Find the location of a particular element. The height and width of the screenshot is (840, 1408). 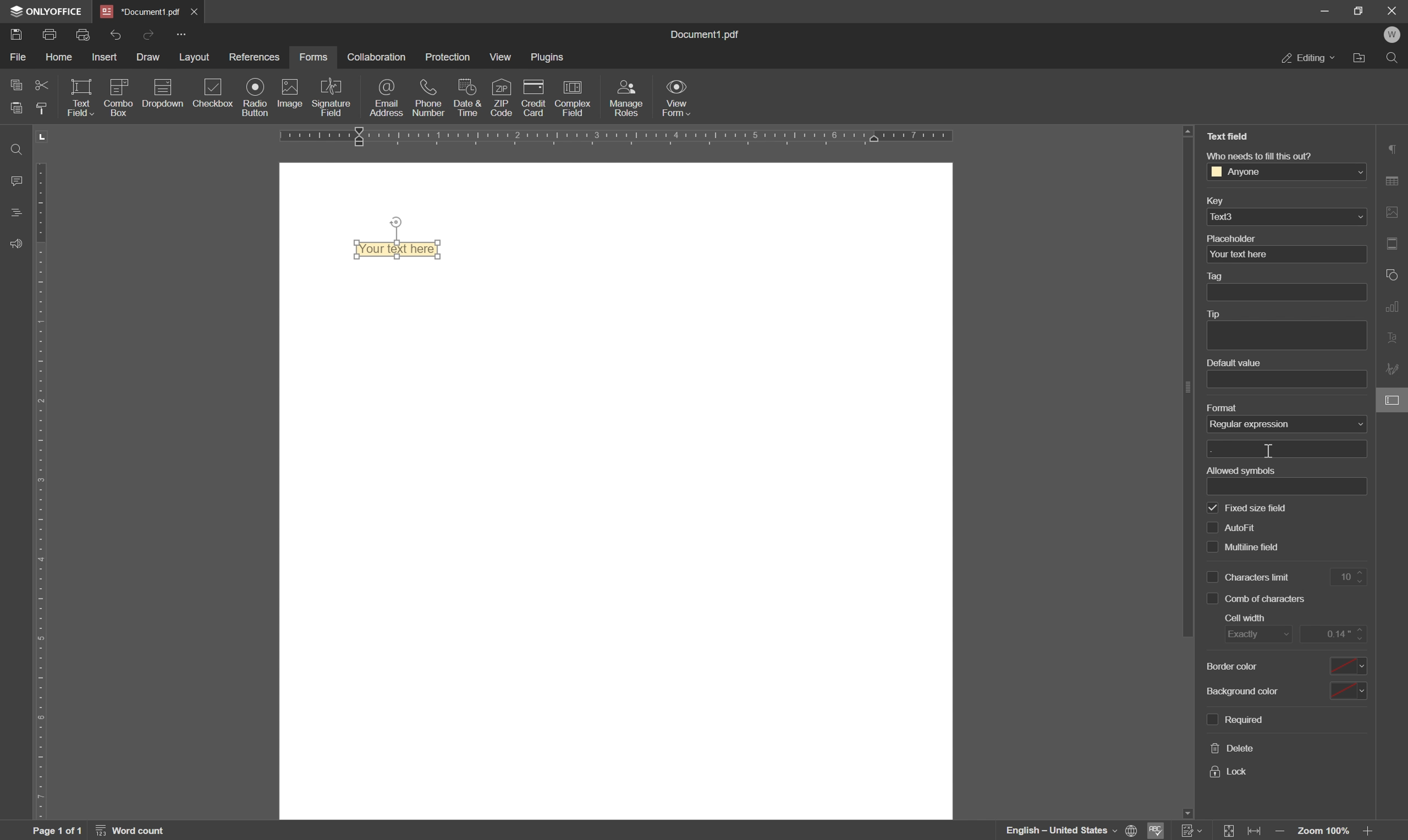

scroll down is located at coordinates (1186, 811).